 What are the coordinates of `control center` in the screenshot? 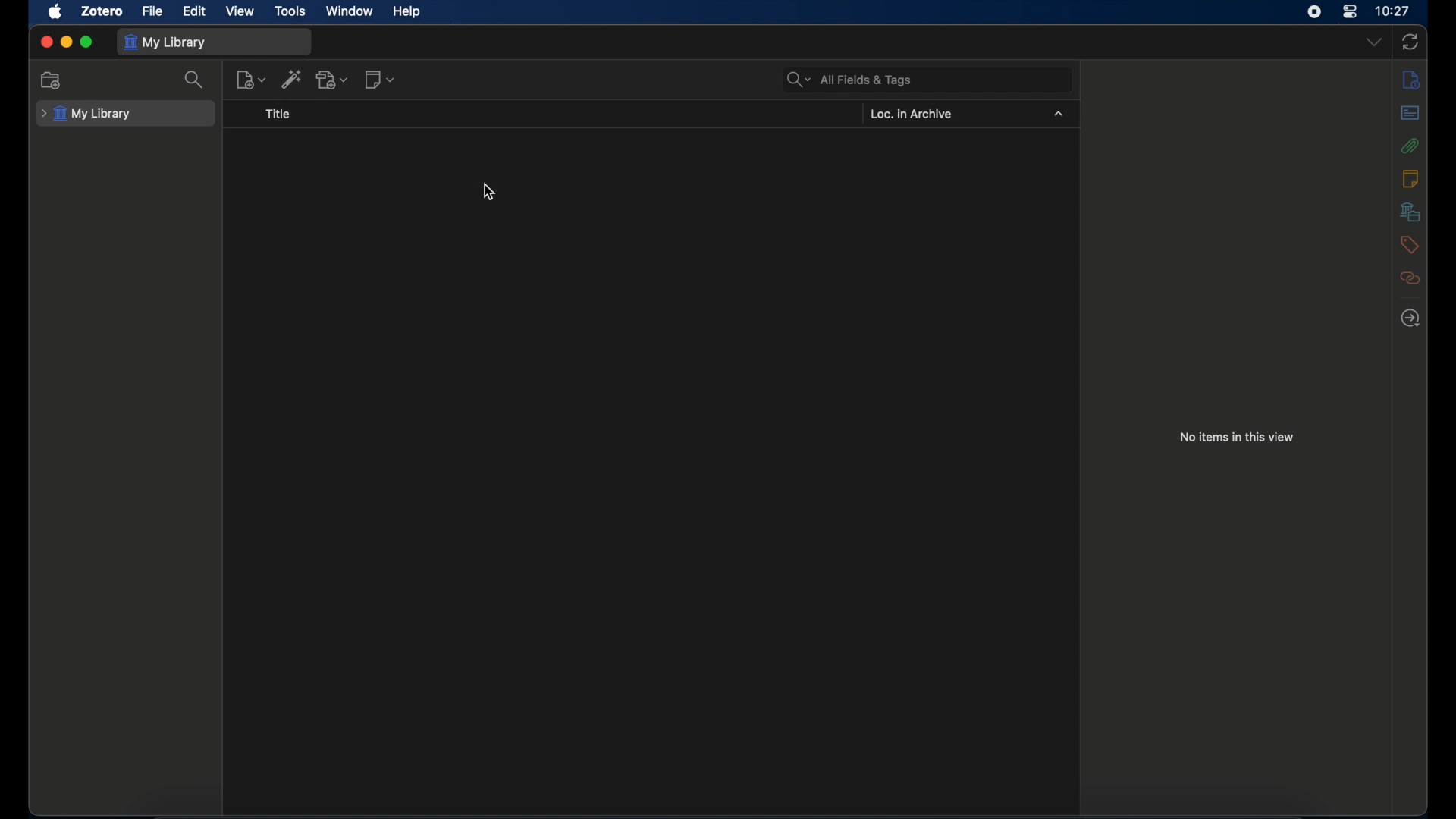 It's located at (1350, 12).